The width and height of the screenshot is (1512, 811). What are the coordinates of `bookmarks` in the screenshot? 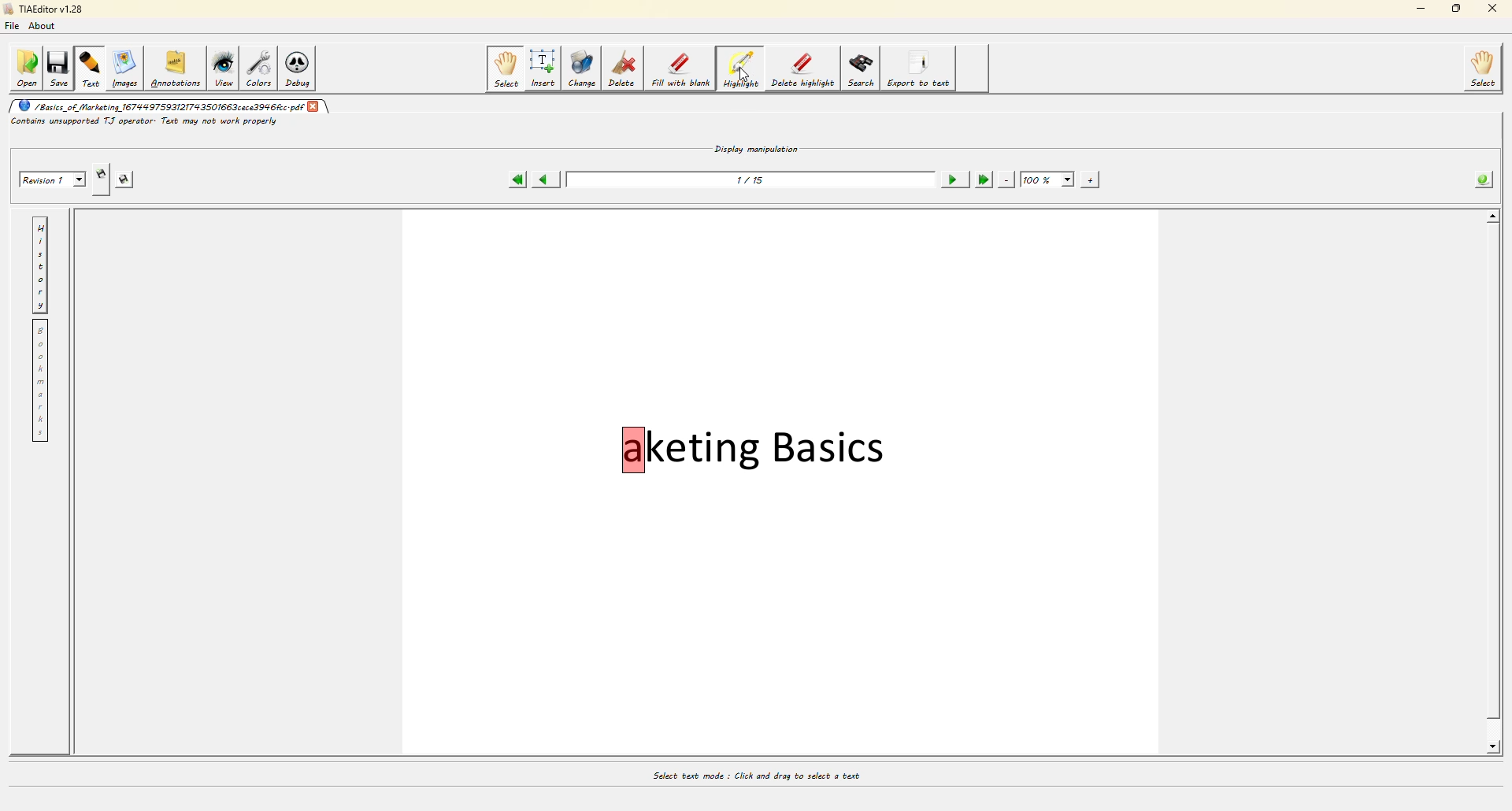 It's located at (39, 381).